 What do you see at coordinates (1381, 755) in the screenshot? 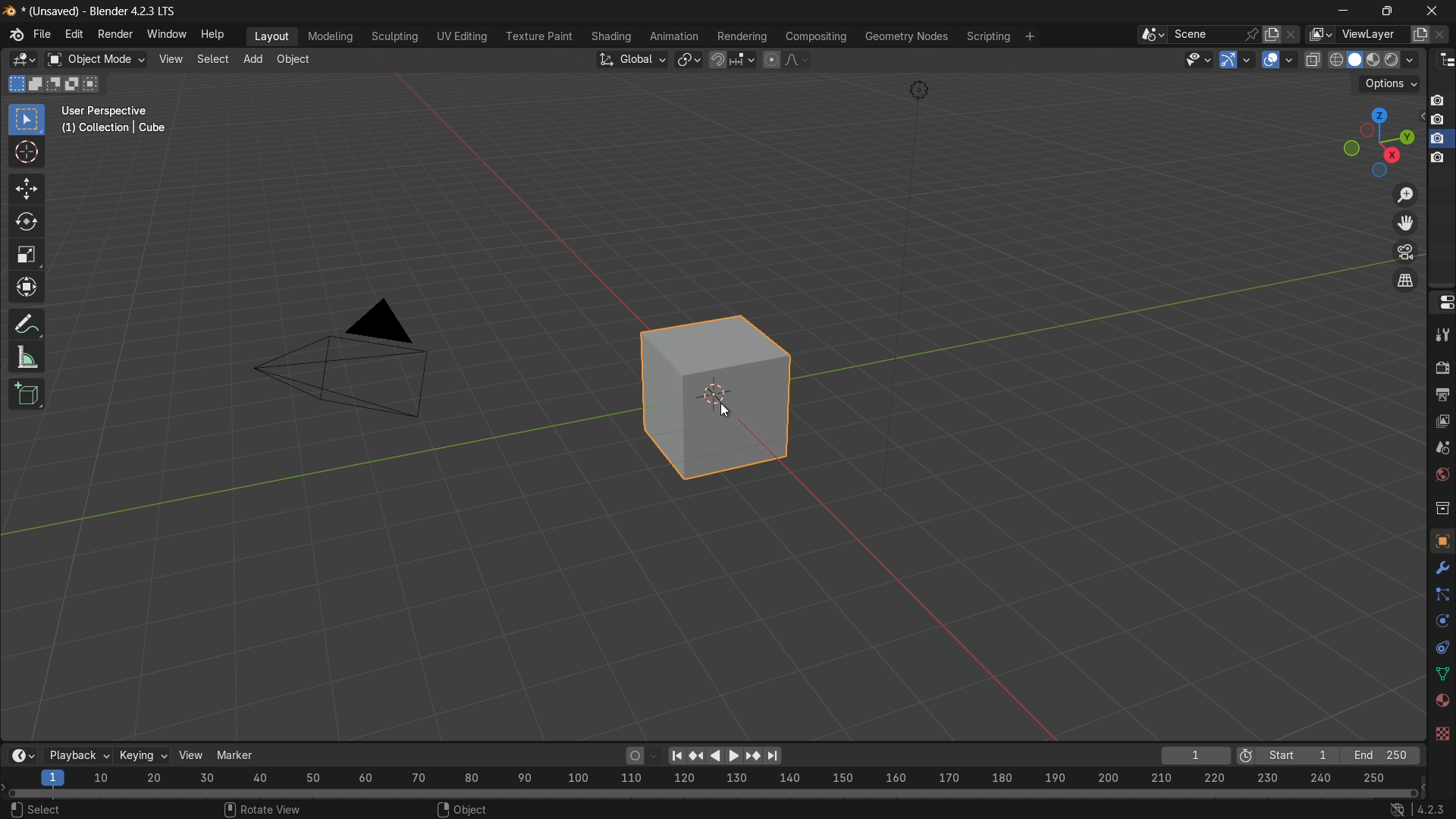
I see `end timeline` at bounding box center [1381, 755].